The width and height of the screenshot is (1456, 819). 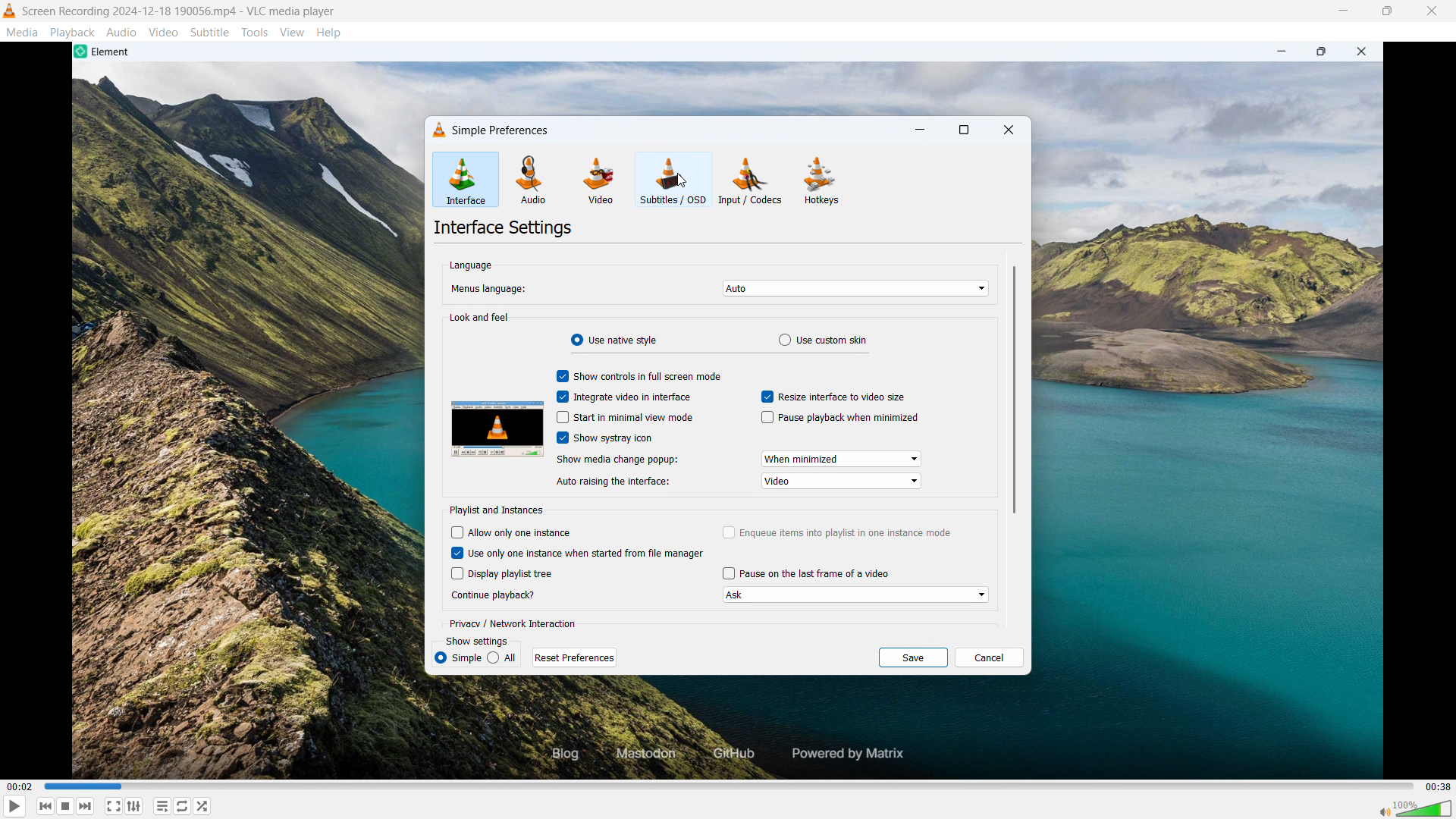 I want to click on subtitle, so click(x=210, y=32).